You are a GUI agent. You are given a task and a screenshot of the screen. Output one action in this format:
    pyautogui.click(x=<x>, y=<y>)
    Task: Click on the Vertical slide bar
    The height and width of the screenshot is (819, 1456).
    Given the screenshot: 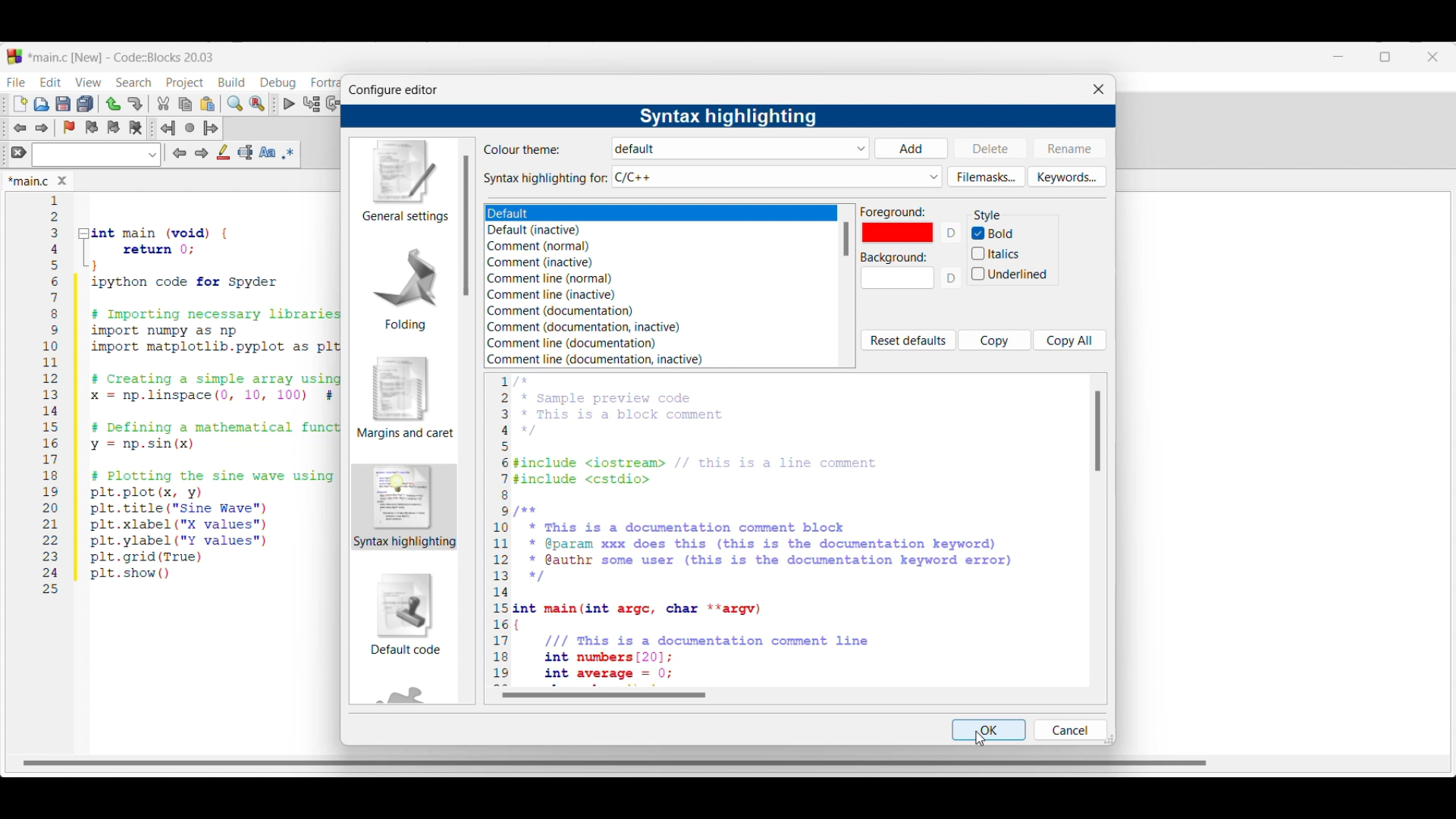 What is the action you would take?
    pyautogui.click(x=1098, y=431)
    